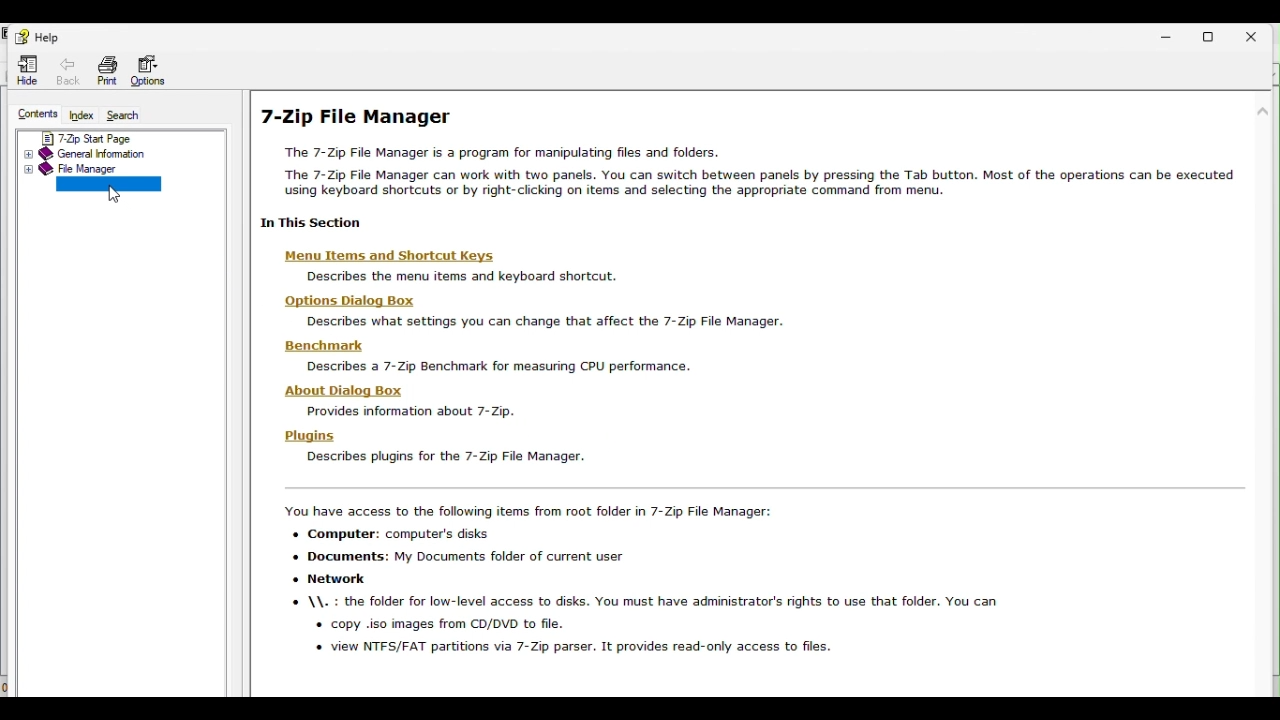  I want to click on Back, so click(69, 68).